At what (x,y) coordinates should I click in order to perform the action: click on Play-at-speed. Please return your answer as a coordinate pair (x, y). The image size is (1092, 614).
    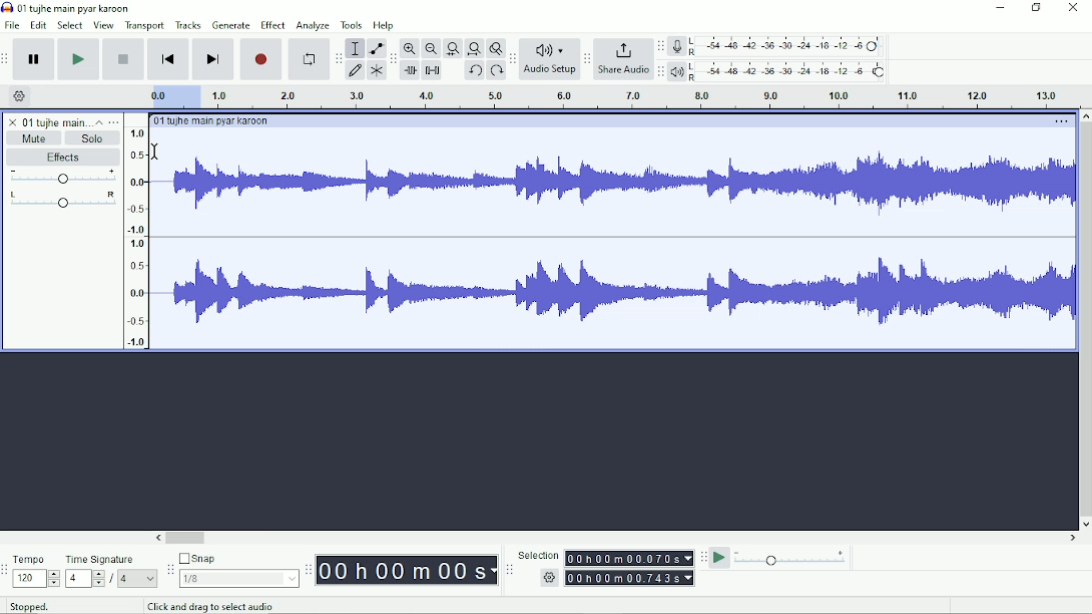
    Looking at the image, I should click on (721, 558).